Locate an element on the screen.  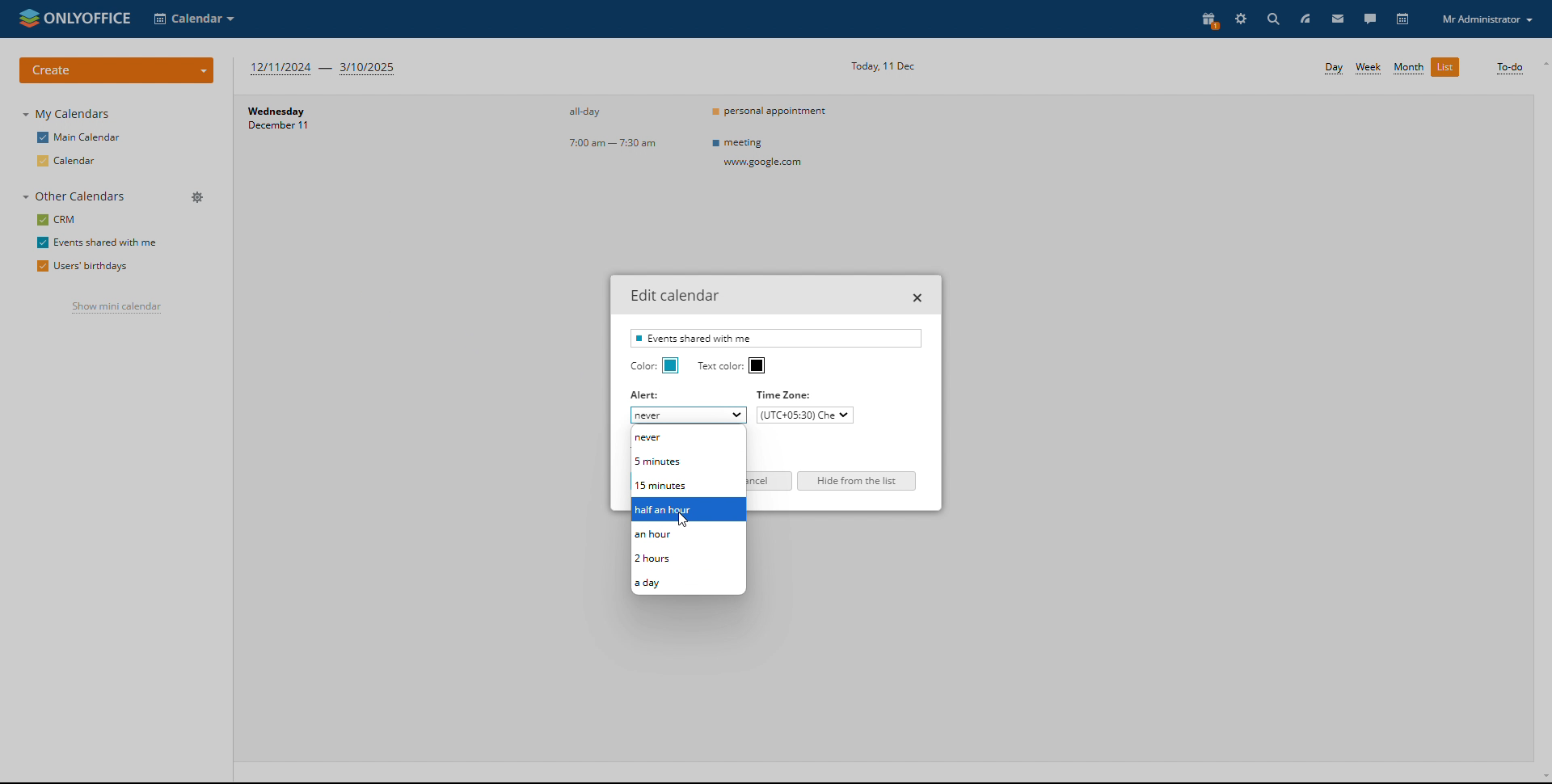
close is located at coordinates (918, 297).